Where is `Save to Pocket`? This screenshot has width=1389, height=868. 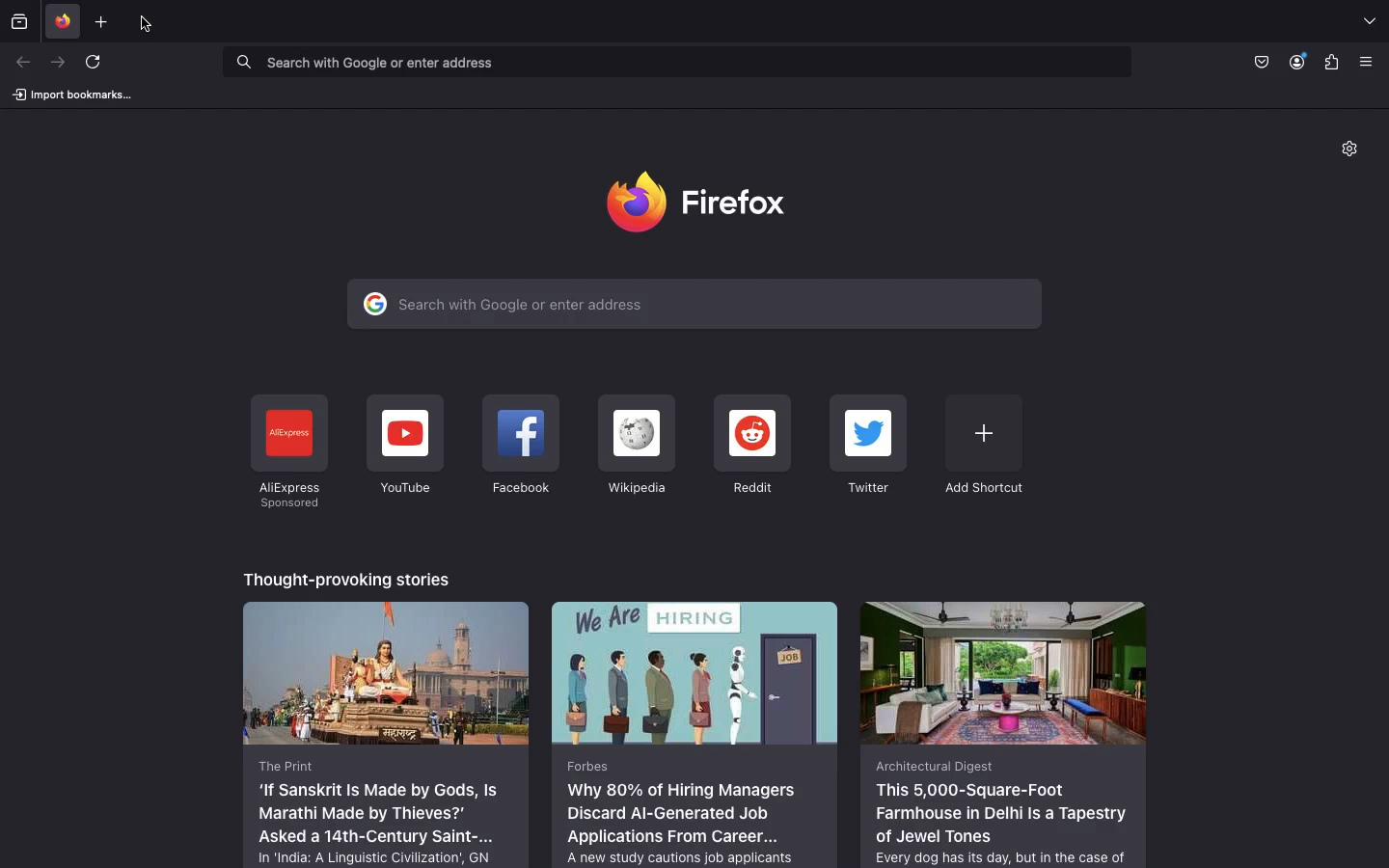
Save to Pocket is located at coordinates (1260, 61).